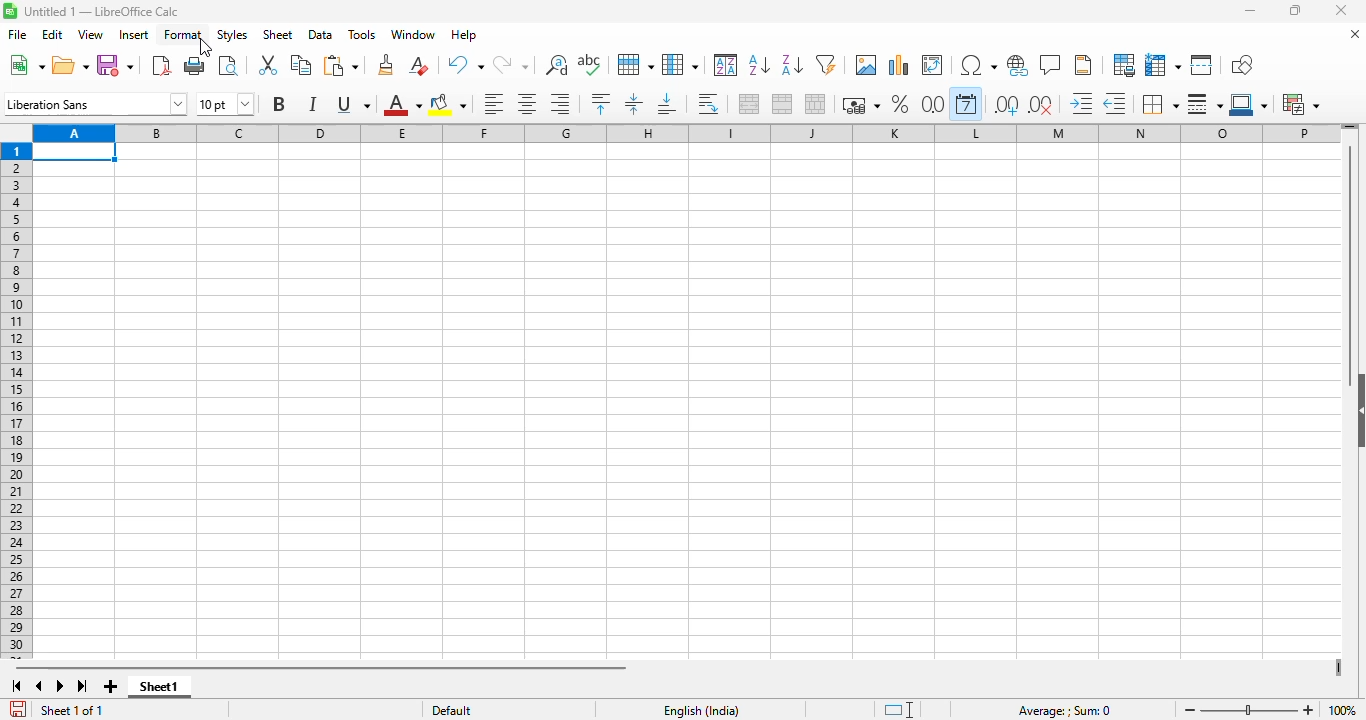 The height and width of the screenshot is (720, 1366). What do you see at coordinates (312, 104) in the screenshot?
I see `italic` at bounding box center [312, 104].